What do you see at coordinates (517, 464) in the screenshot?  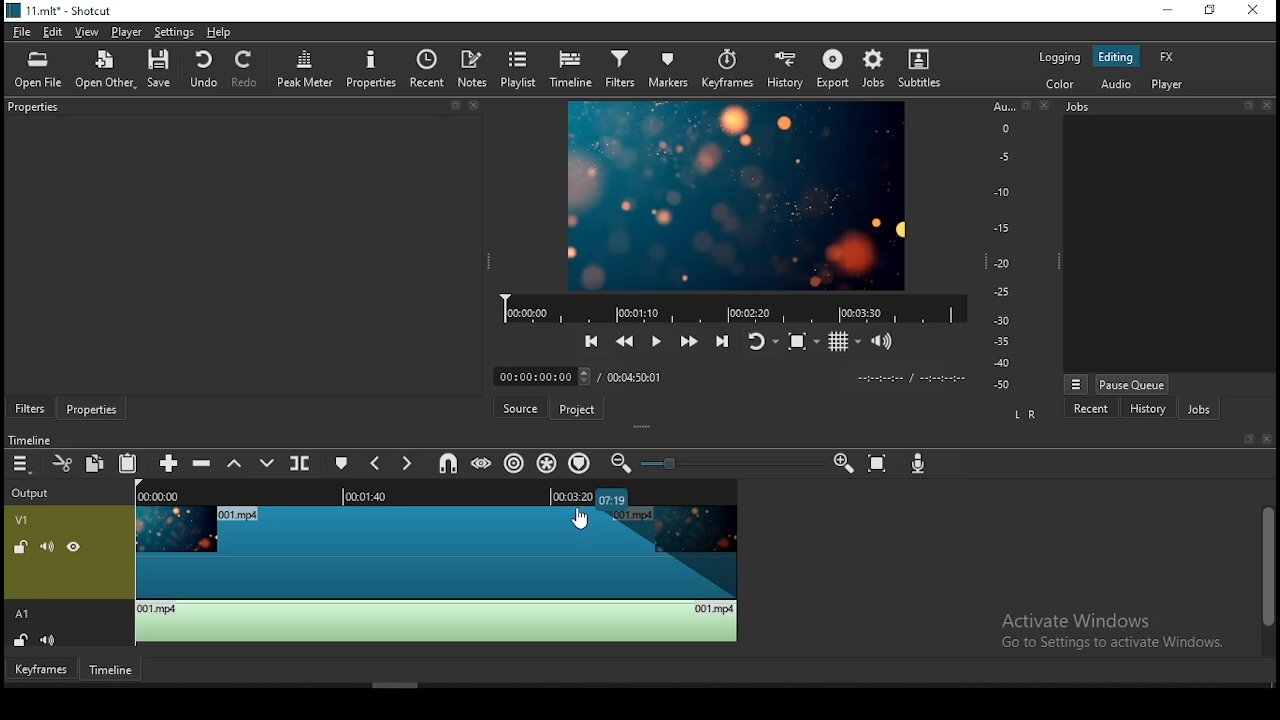 I see `ripple` at bounding box center [517, 464].